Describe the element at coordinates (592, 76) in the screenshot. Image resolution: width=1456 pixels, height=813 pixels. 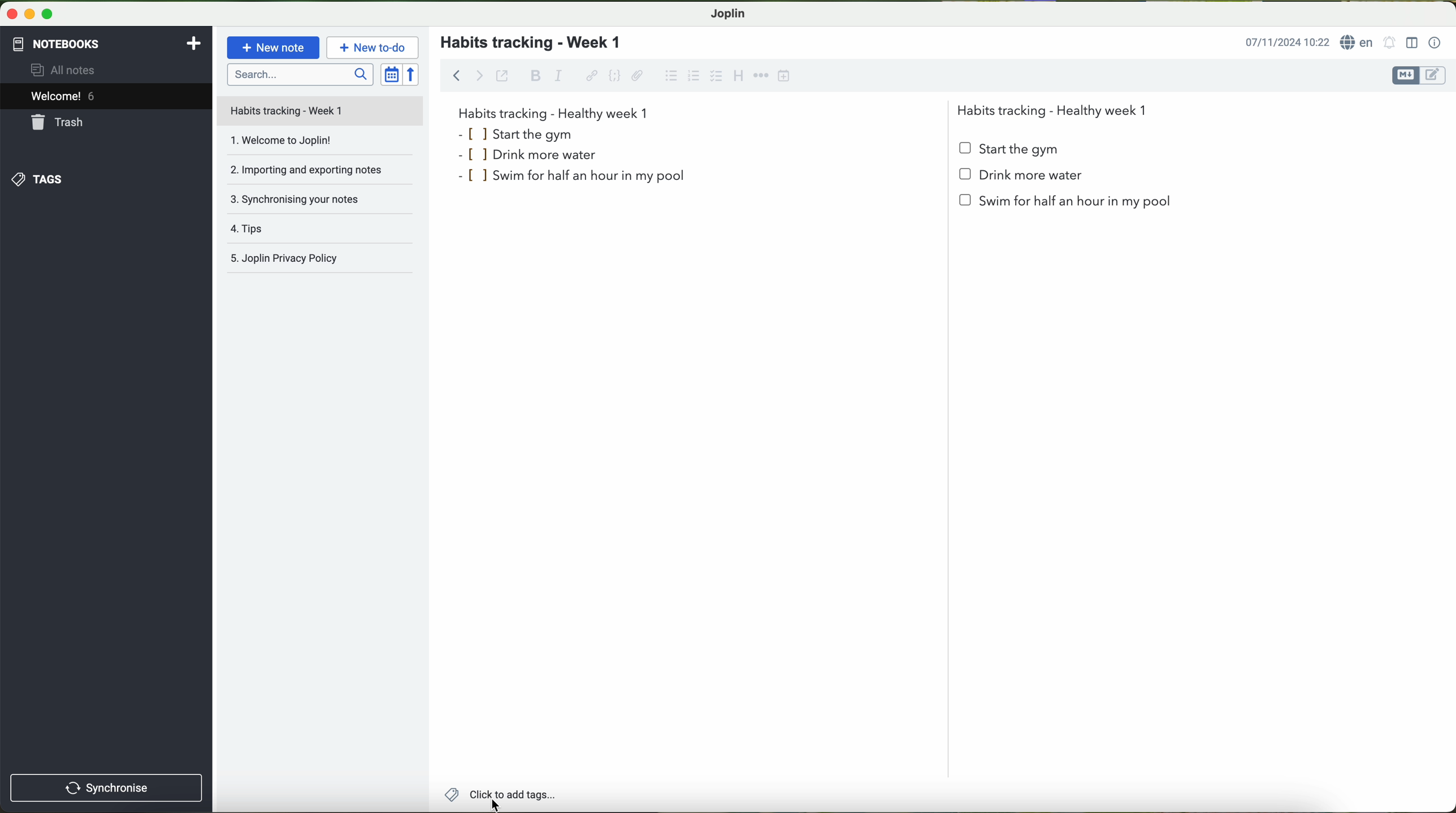
I see `hyperlink` at that location.